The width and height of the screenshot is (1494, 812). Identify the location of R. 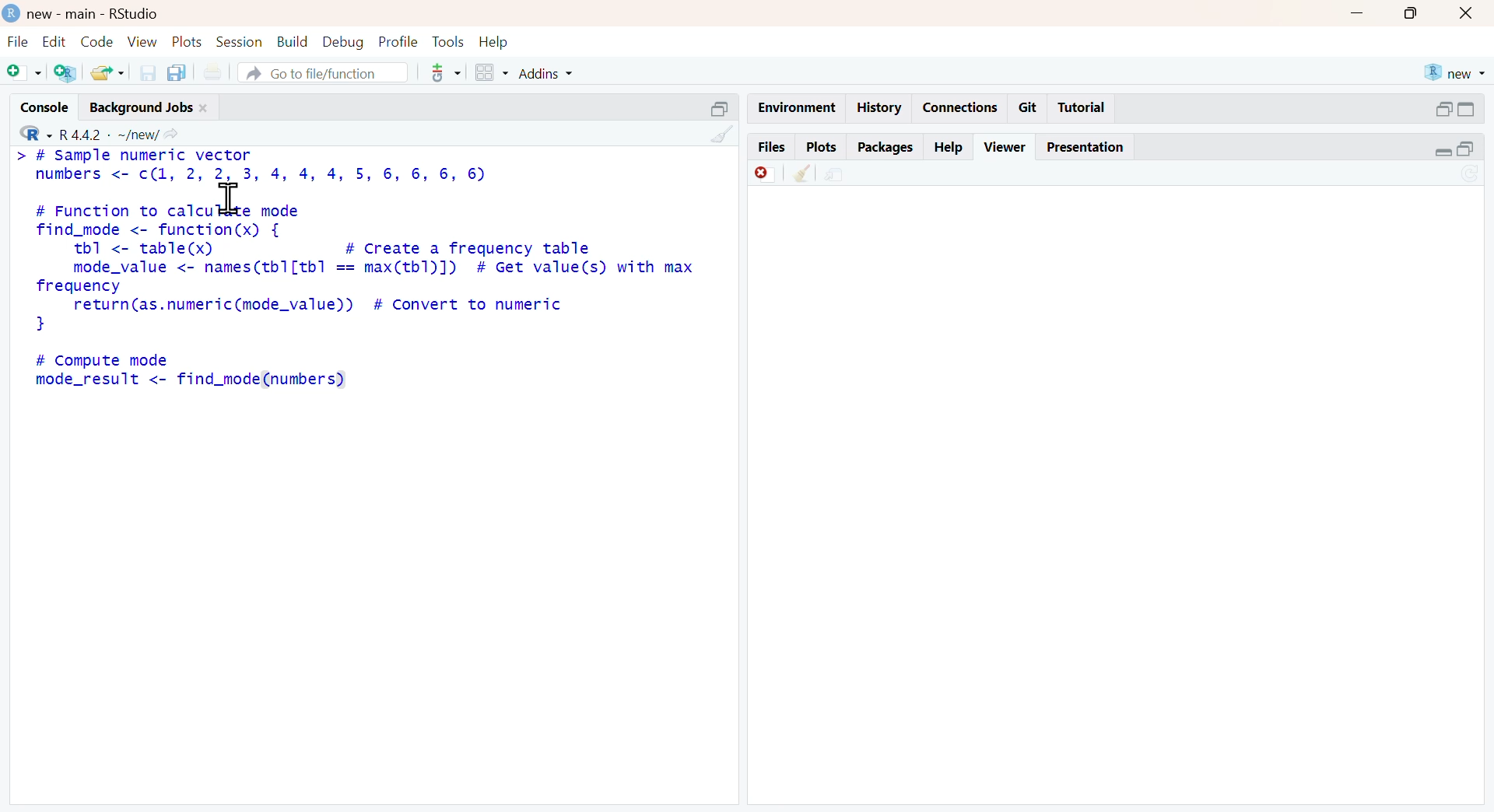
(36, 134).